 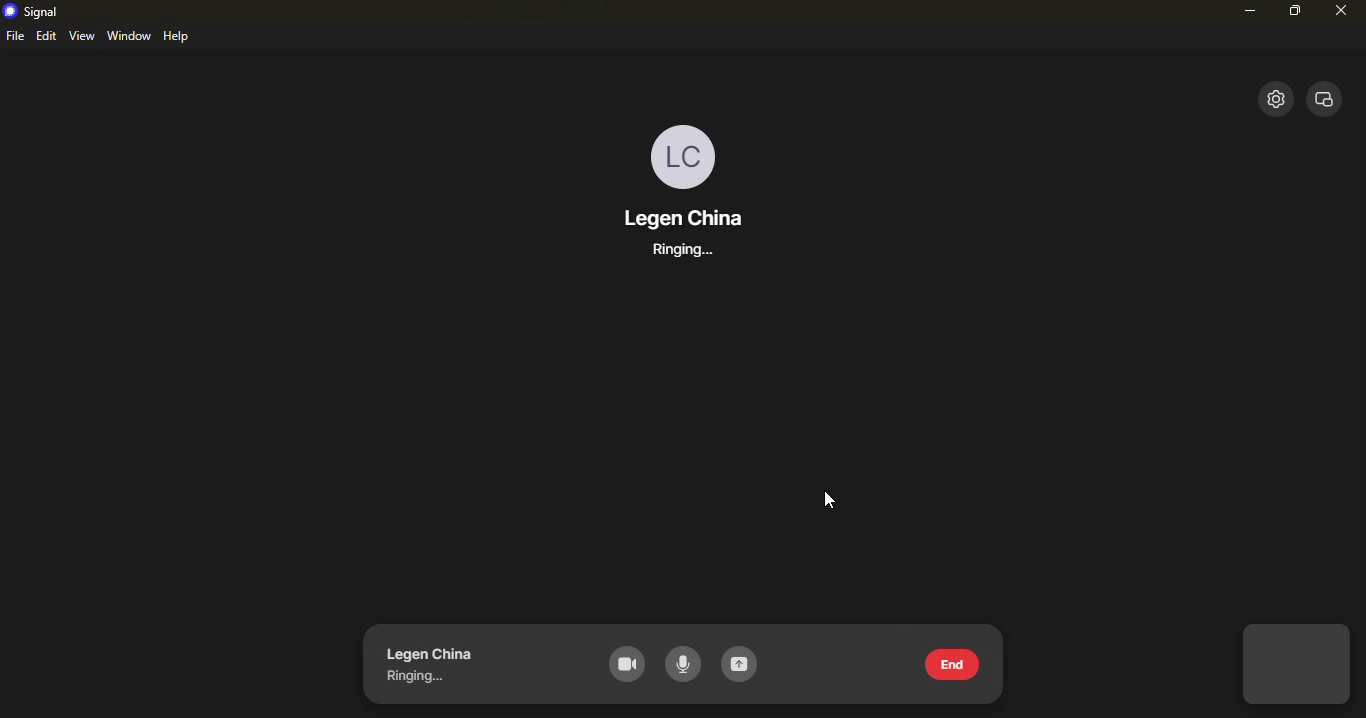 I want to click on view, so click(x=80, y=35).